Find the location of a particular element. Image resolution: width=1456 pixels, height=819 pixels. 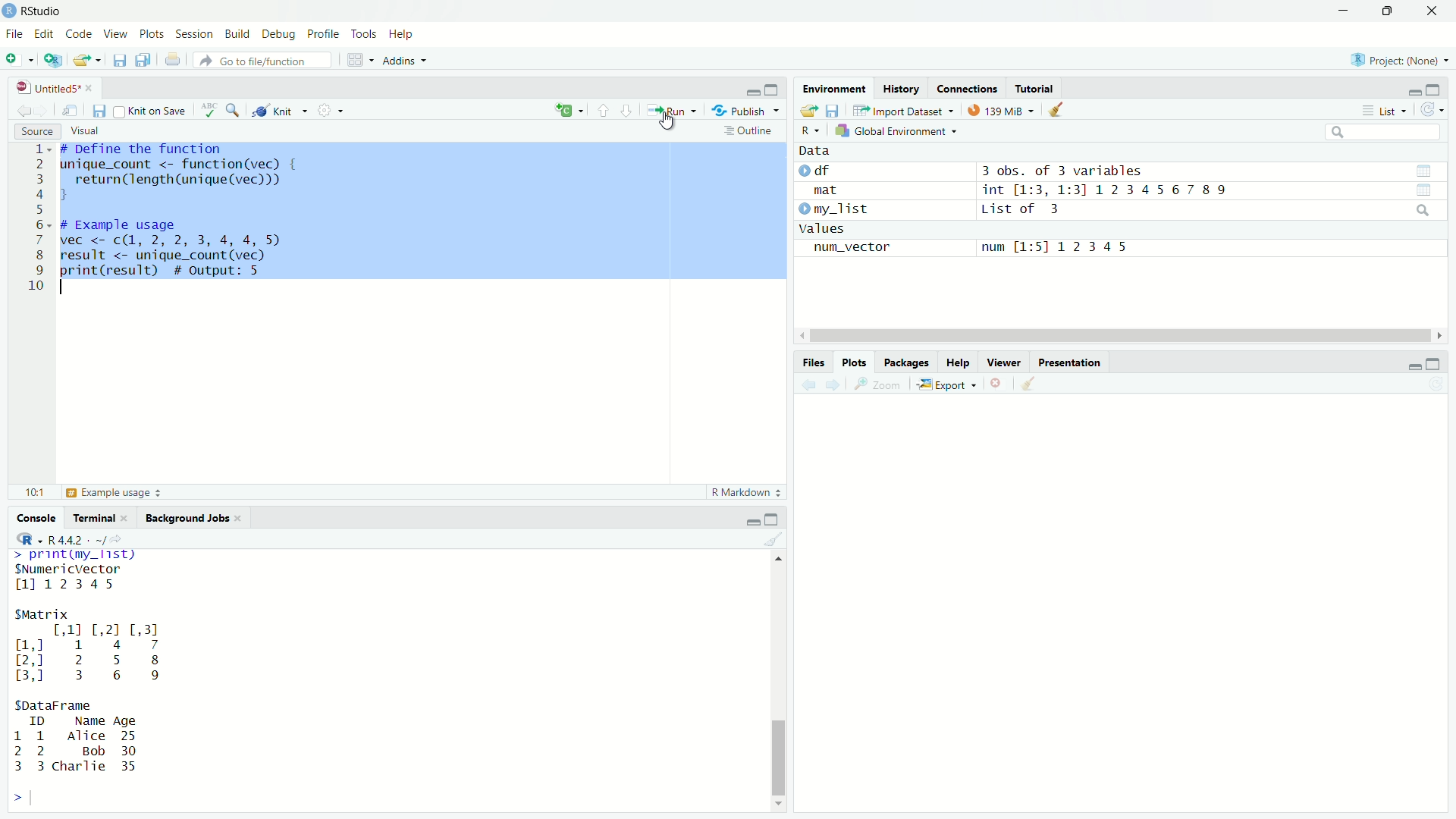

Source is located at coordinates (35, 130).